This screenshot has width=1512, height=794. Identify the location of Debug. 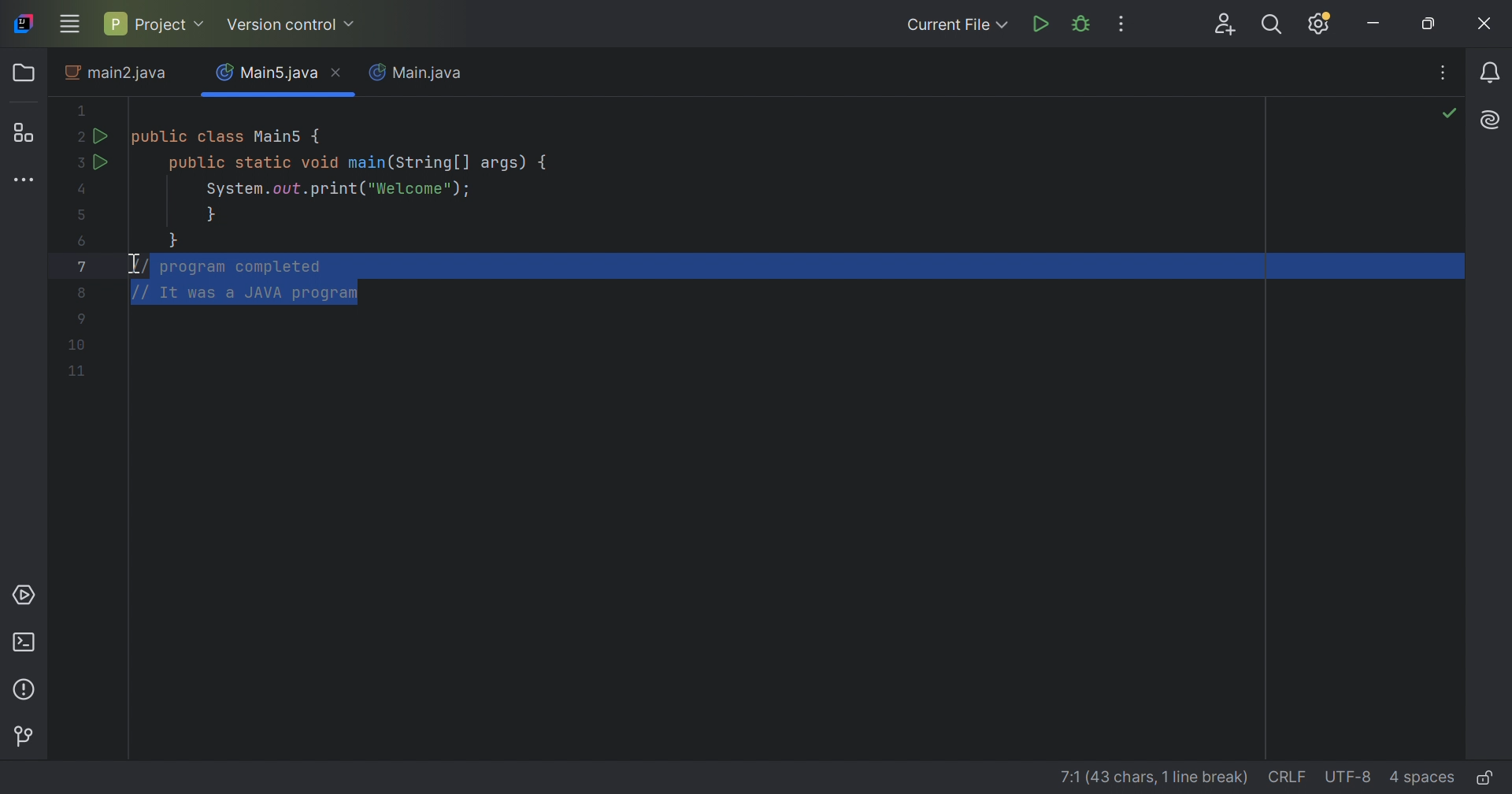
(1083, 24).